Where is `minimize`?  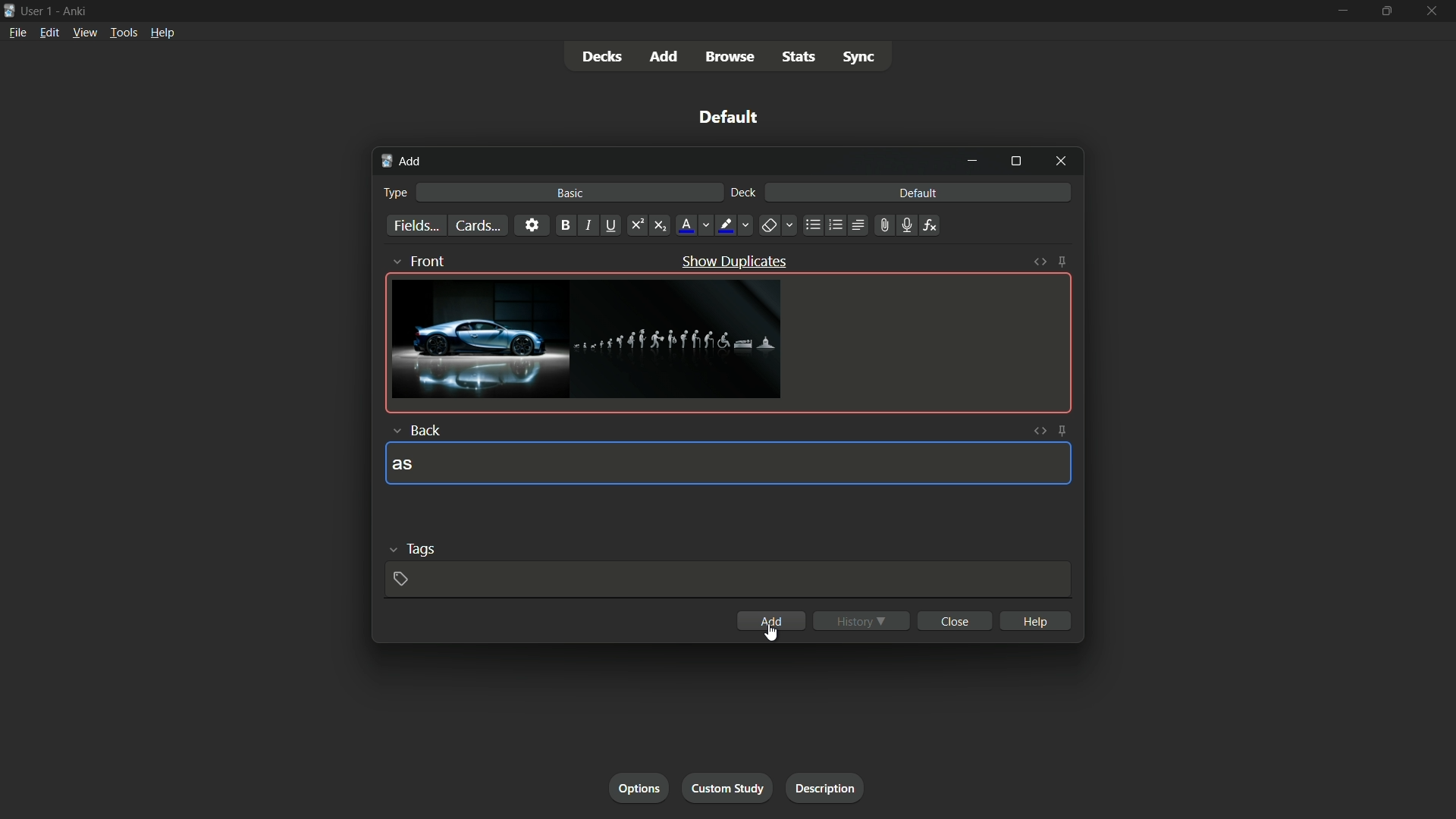
minimize is located at coordinates (974, 162).